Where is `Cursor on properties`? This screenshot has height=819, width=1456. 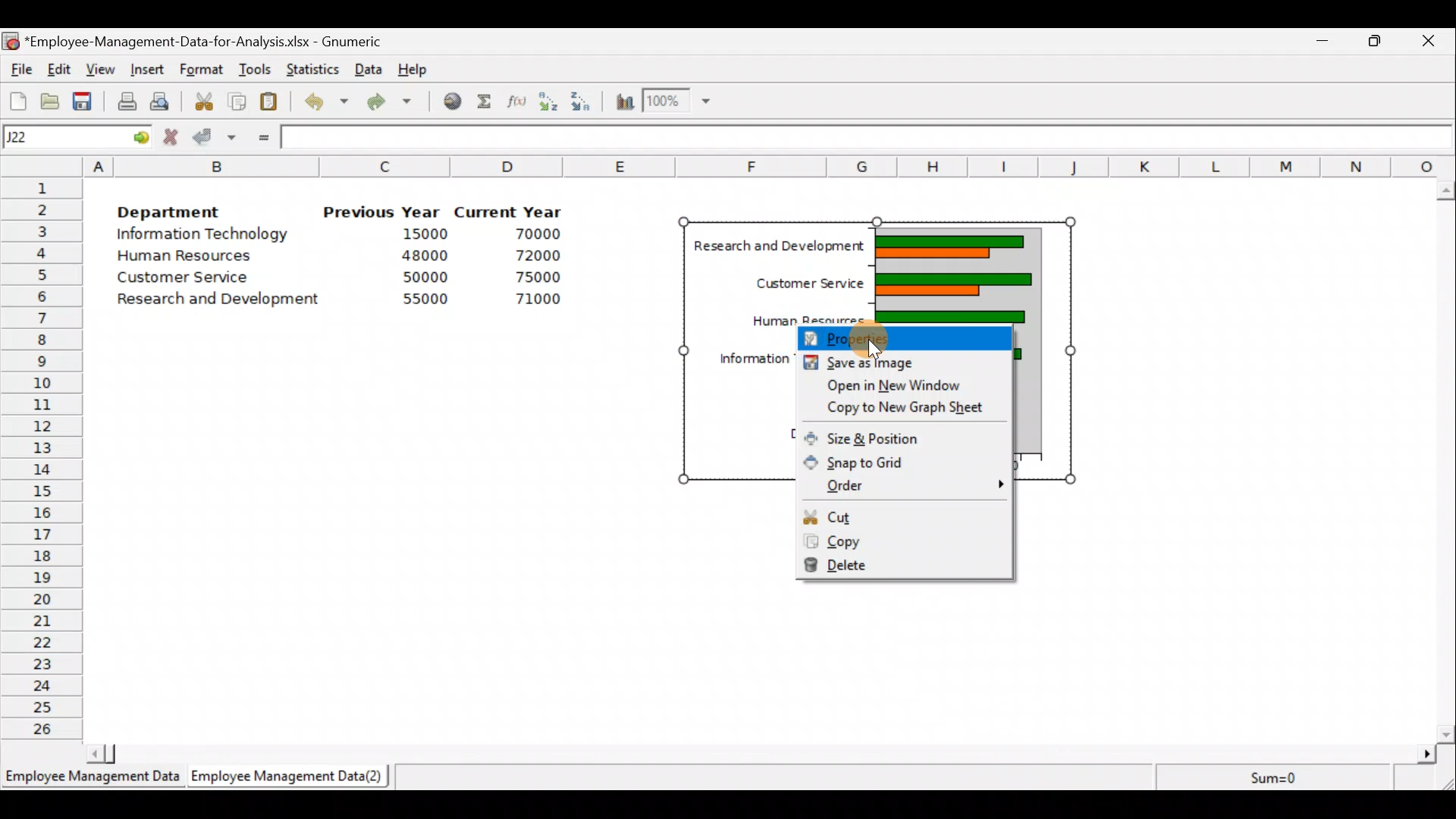
Cursor on properties is located at coordinates (868, 339).